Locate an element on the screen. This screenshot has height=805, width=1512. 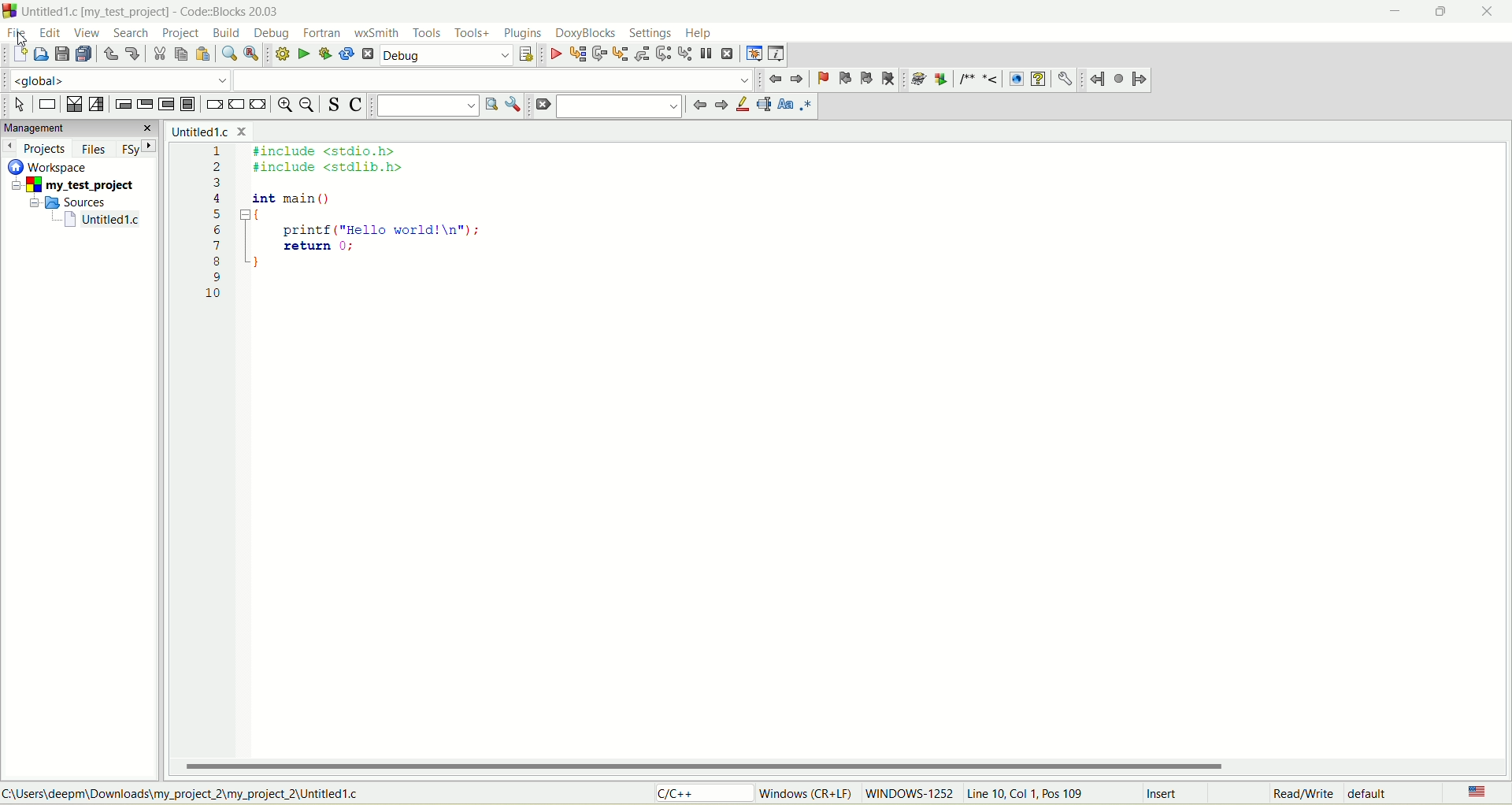
selection is located at coordinates (97, 106).